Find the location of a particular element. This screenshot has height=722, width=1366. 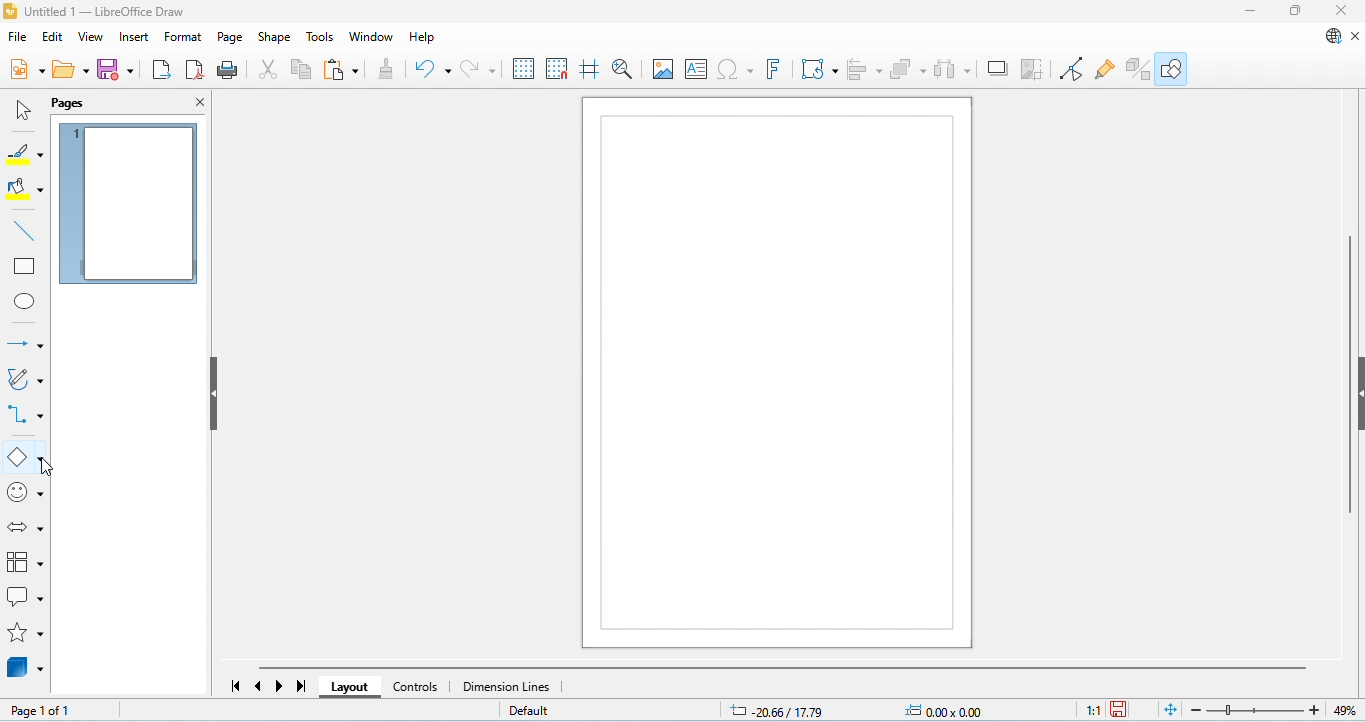

previous page is located at coordinates (258, 685).